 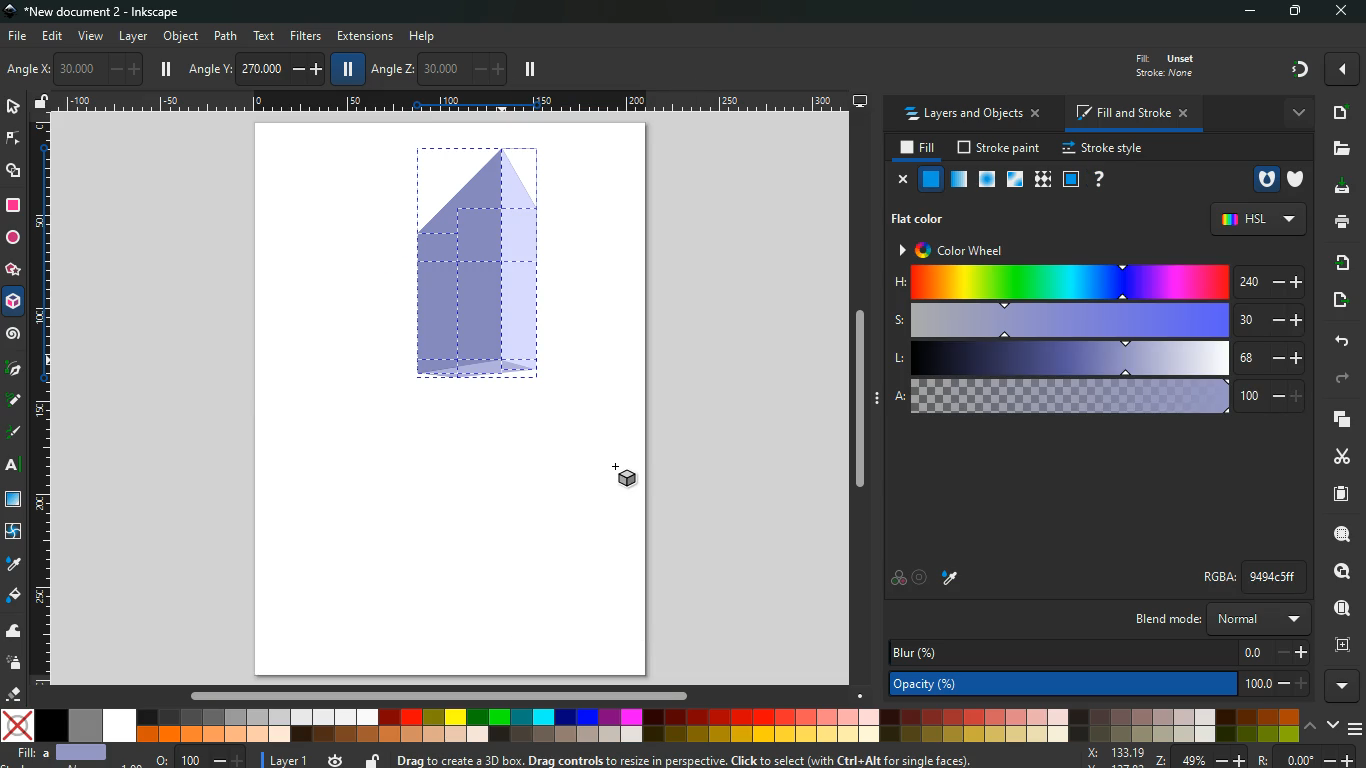 I want to click on look, so click(x=1336, y=572).